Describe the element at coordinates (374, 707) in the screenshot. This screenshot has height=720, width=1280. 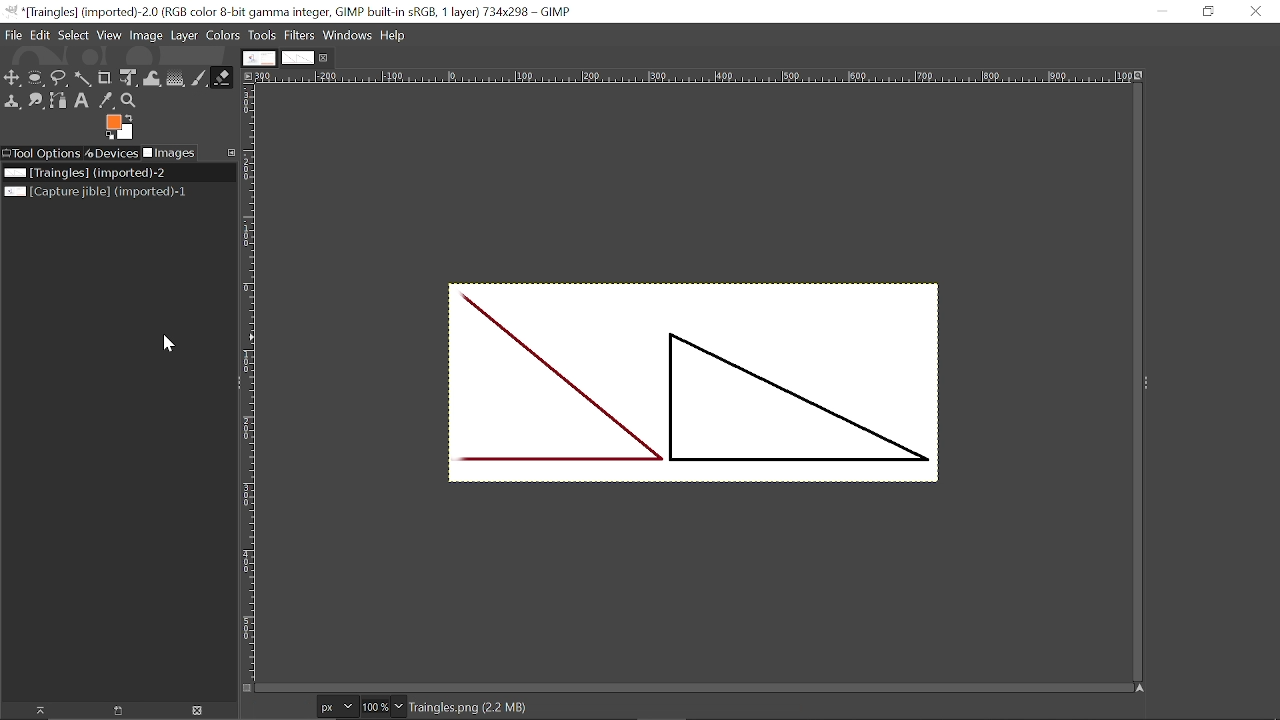
I see `Current zoom` at that location.